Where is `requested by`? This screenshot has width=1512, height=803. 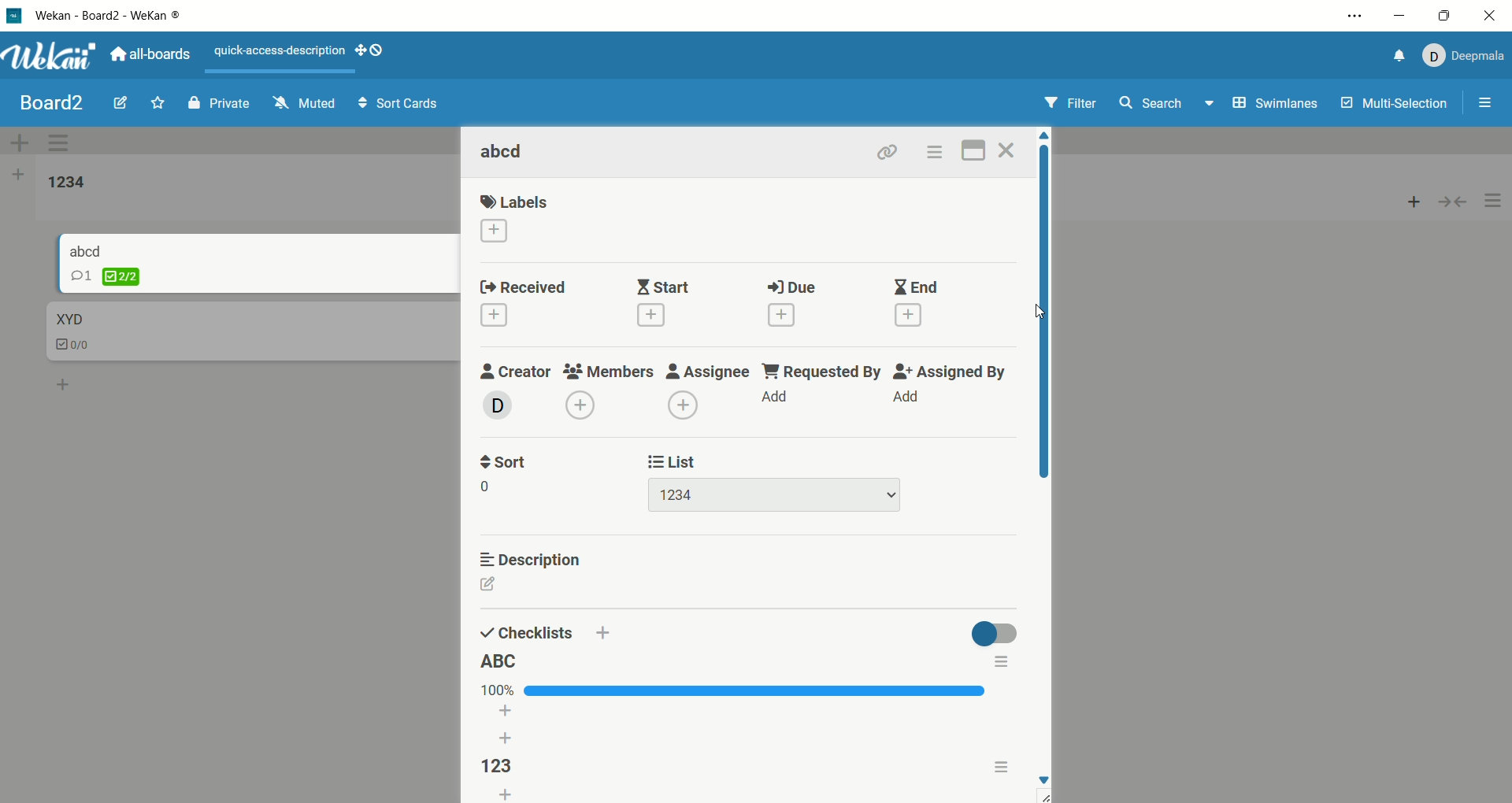
requested by is located at coordinates (820, 371).